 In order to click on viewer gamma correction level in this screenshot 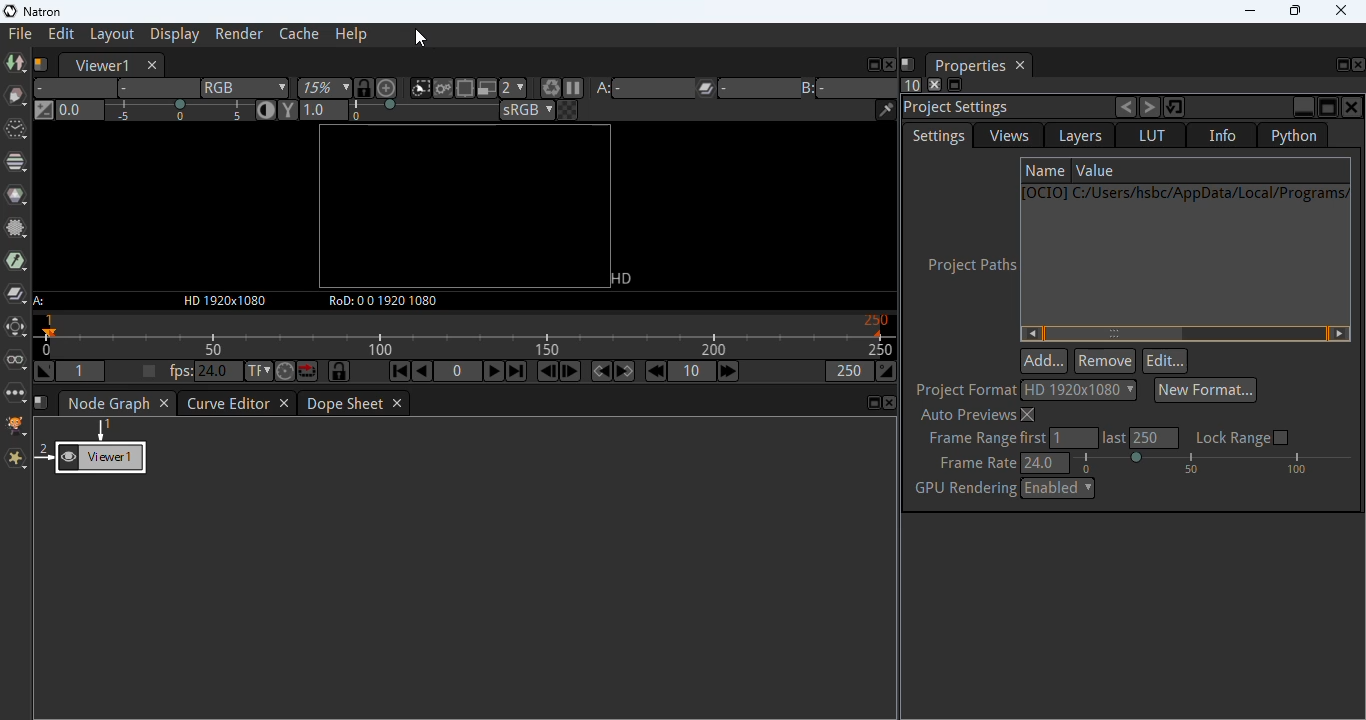, I will do `click(399, 110)`.